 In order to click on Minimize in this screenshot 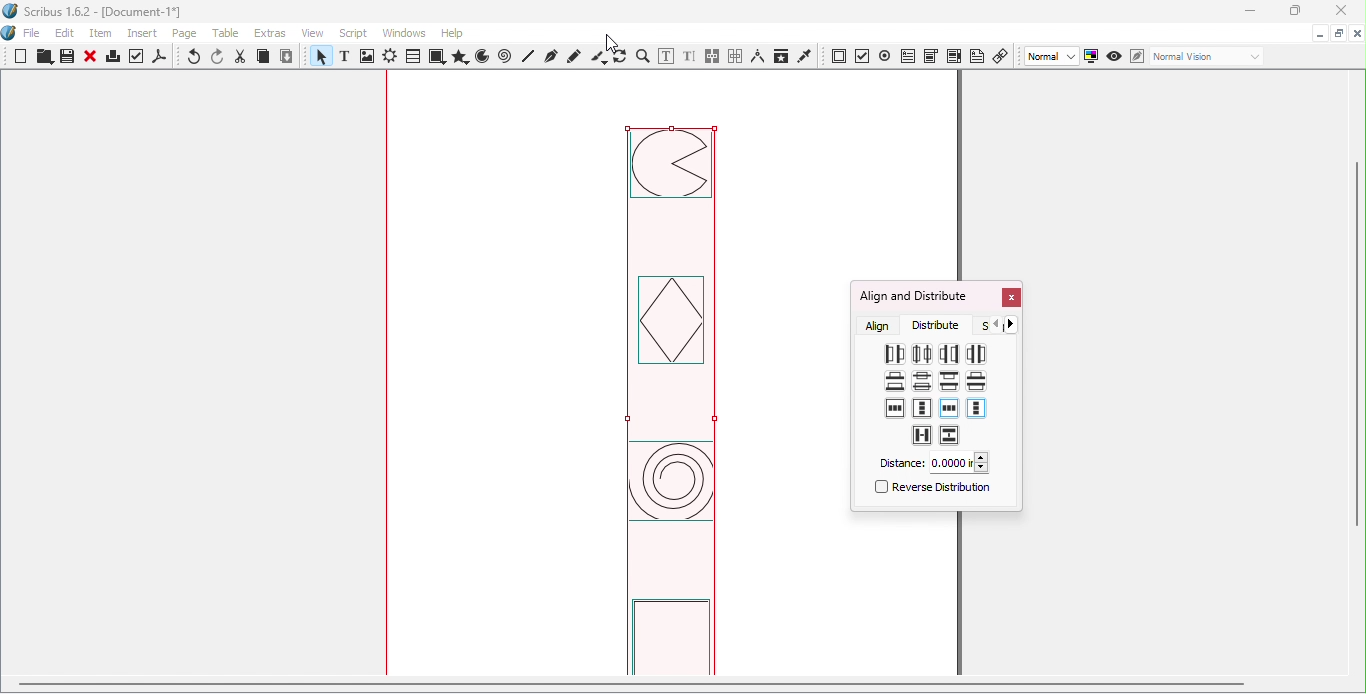, I will do `click(1318, 32)`.